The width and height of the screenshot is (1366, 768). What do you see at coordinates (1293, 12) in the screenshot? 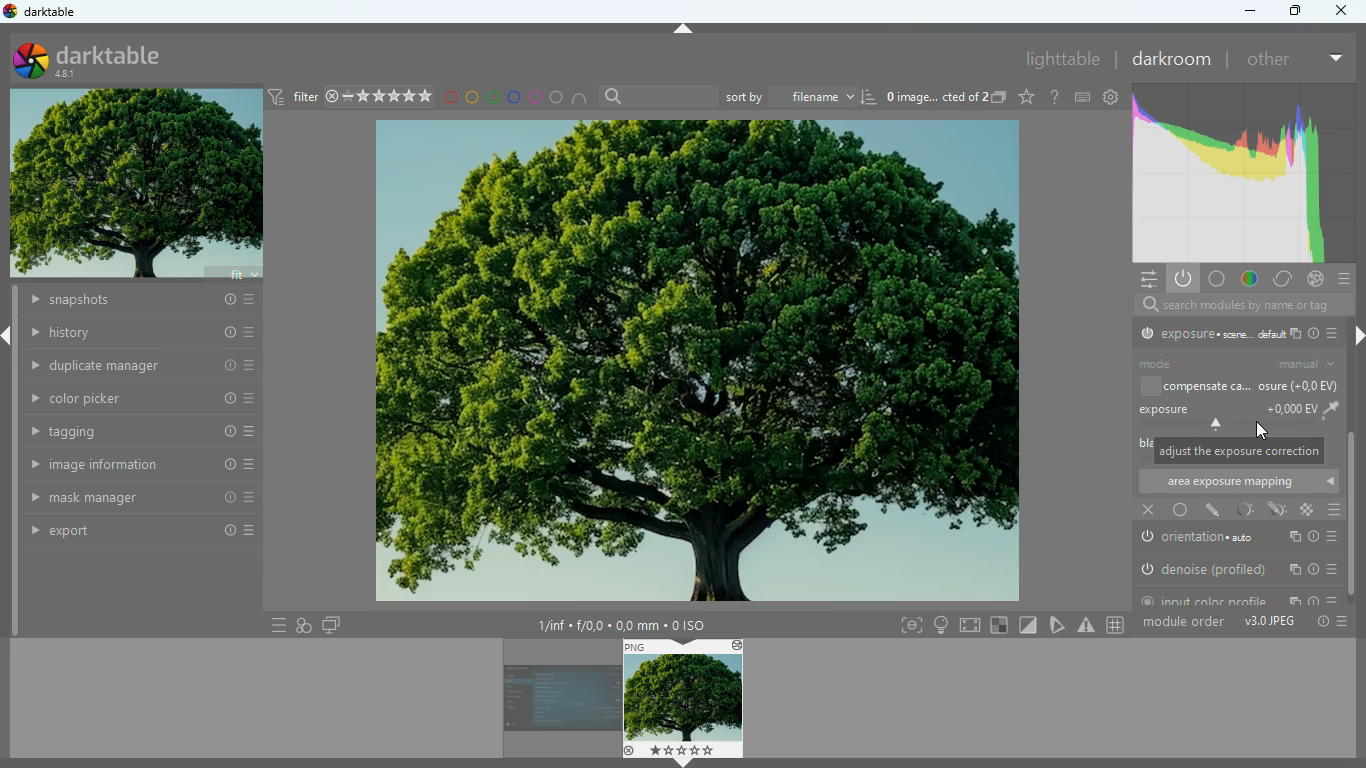
I see `maximize` at bounding box center [1293, 12].